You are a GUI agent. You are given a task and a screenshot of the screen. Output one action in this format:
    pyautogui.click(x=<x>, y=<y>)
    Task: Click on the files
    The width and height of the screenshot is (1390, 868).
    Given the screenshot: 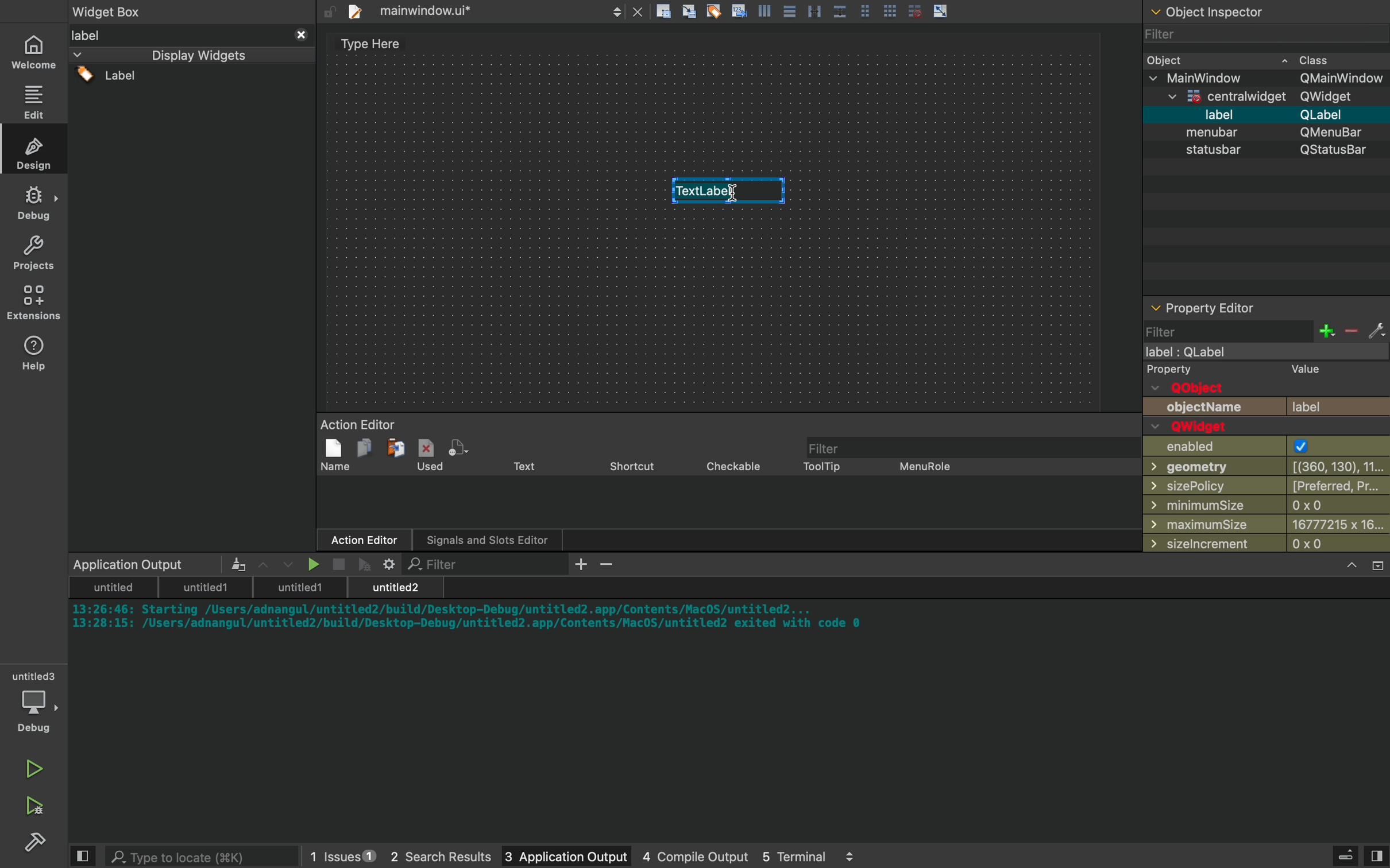 What is the action you would take?
    pyautogui.click(x=481, y=11)
    